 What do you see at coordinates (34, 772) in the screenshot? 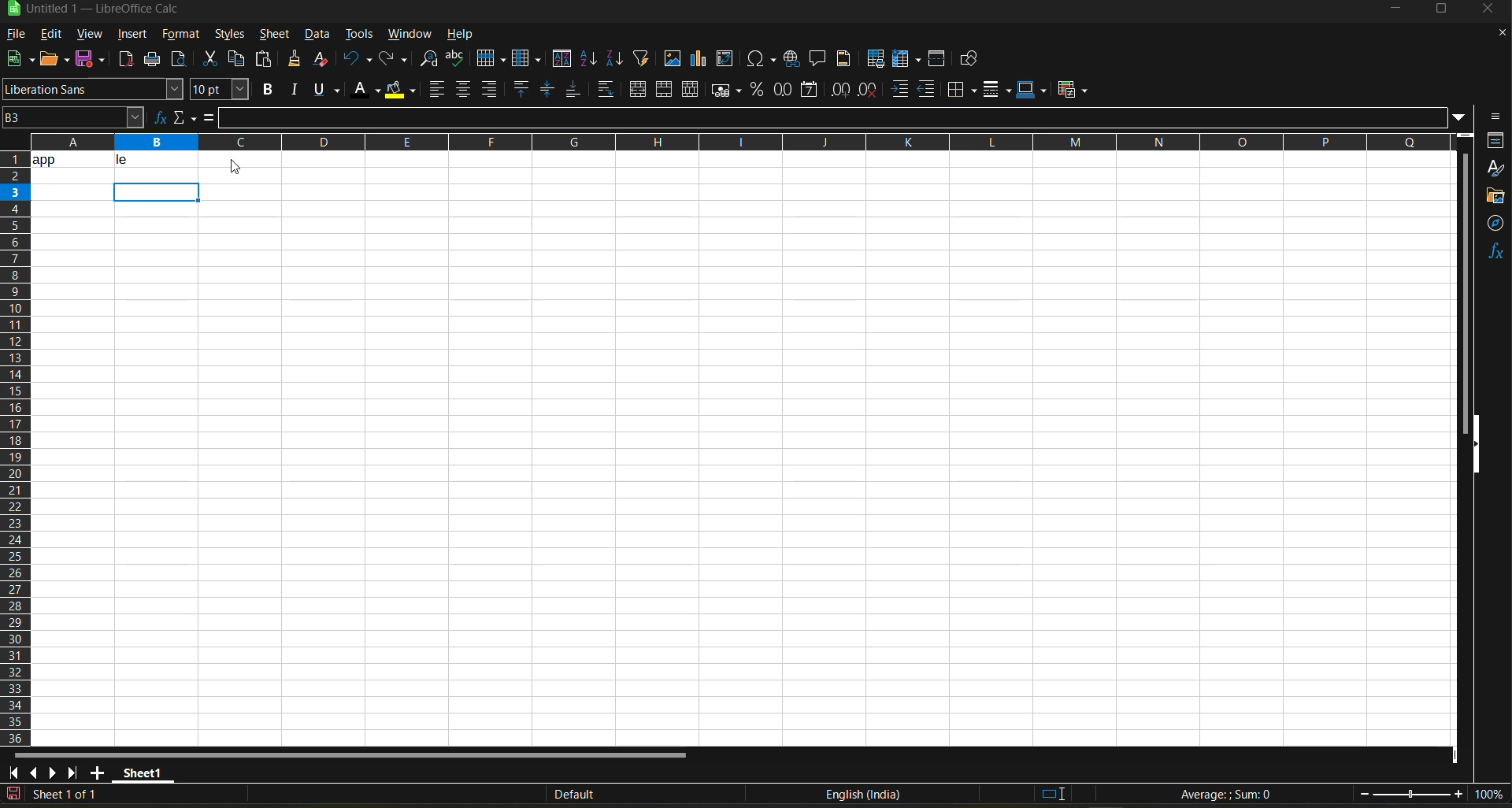
I see `scroll to previous sheet` at bounding box center [34, 772].